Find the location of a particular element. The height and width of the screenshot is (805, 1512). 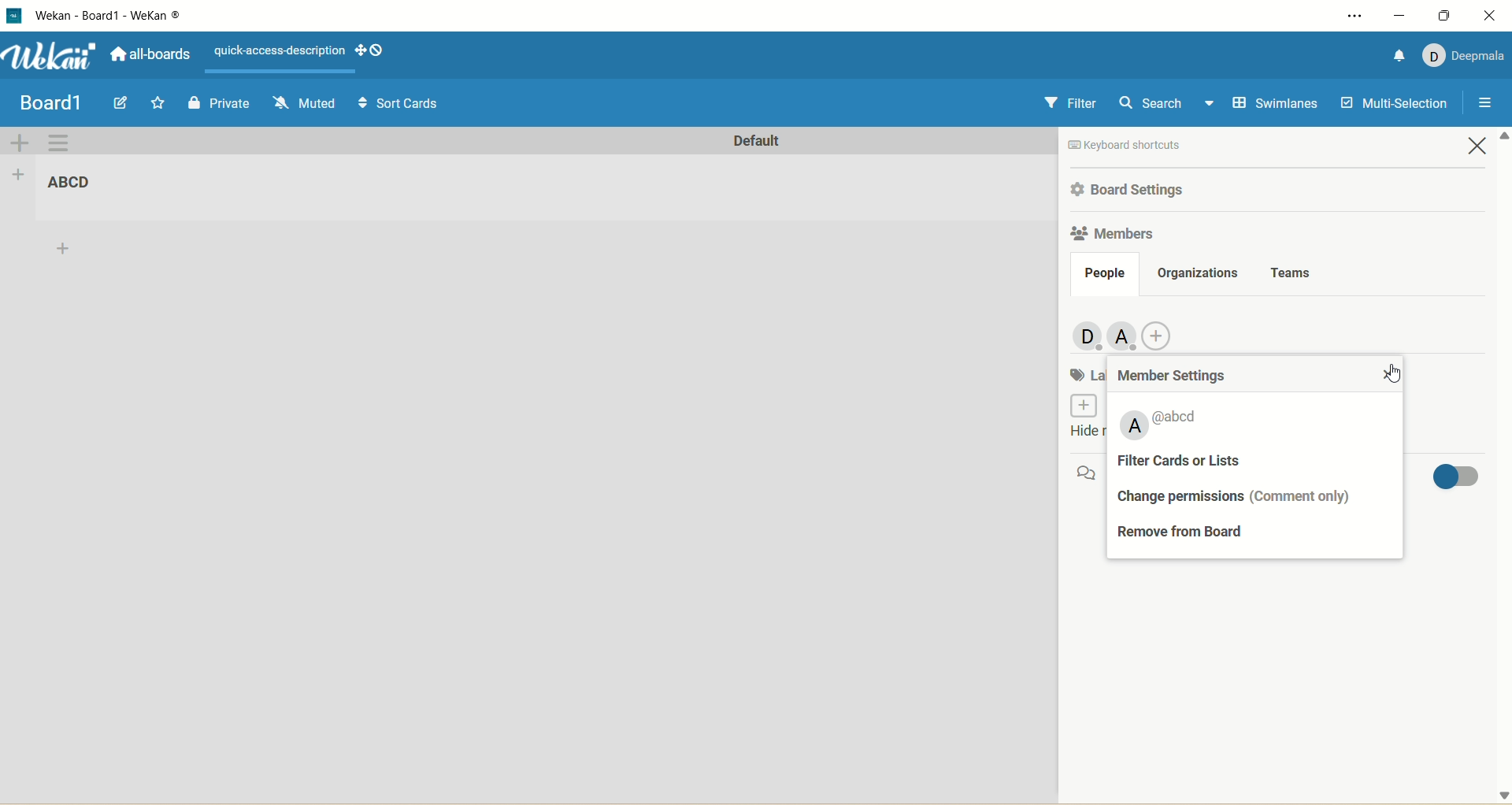

maximize is located at coordinates (1443, 16).